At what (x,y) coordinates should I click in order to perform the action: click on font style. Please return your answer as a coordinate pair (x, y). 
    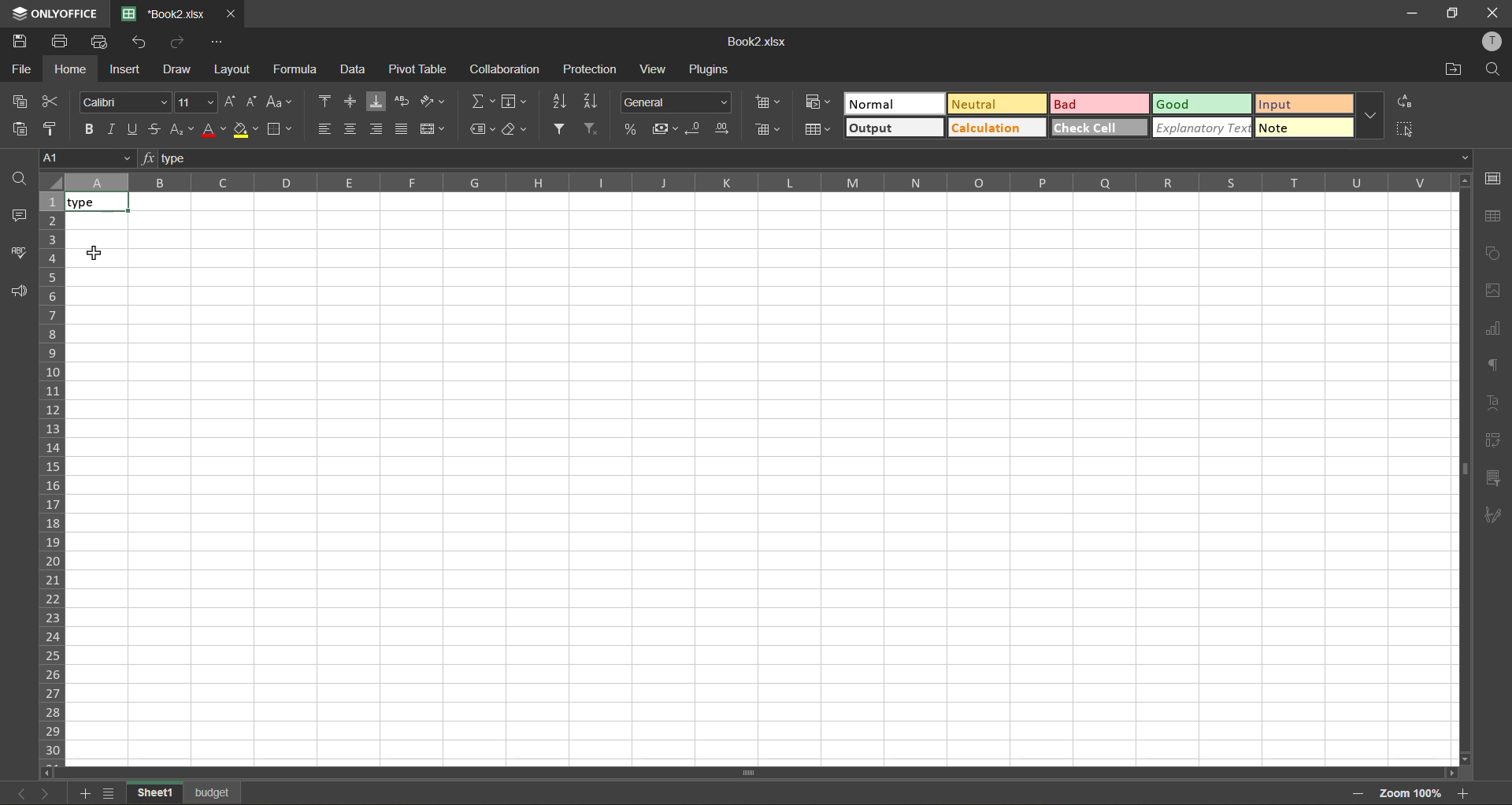
    Looking at the image, I should click on (123, 102).